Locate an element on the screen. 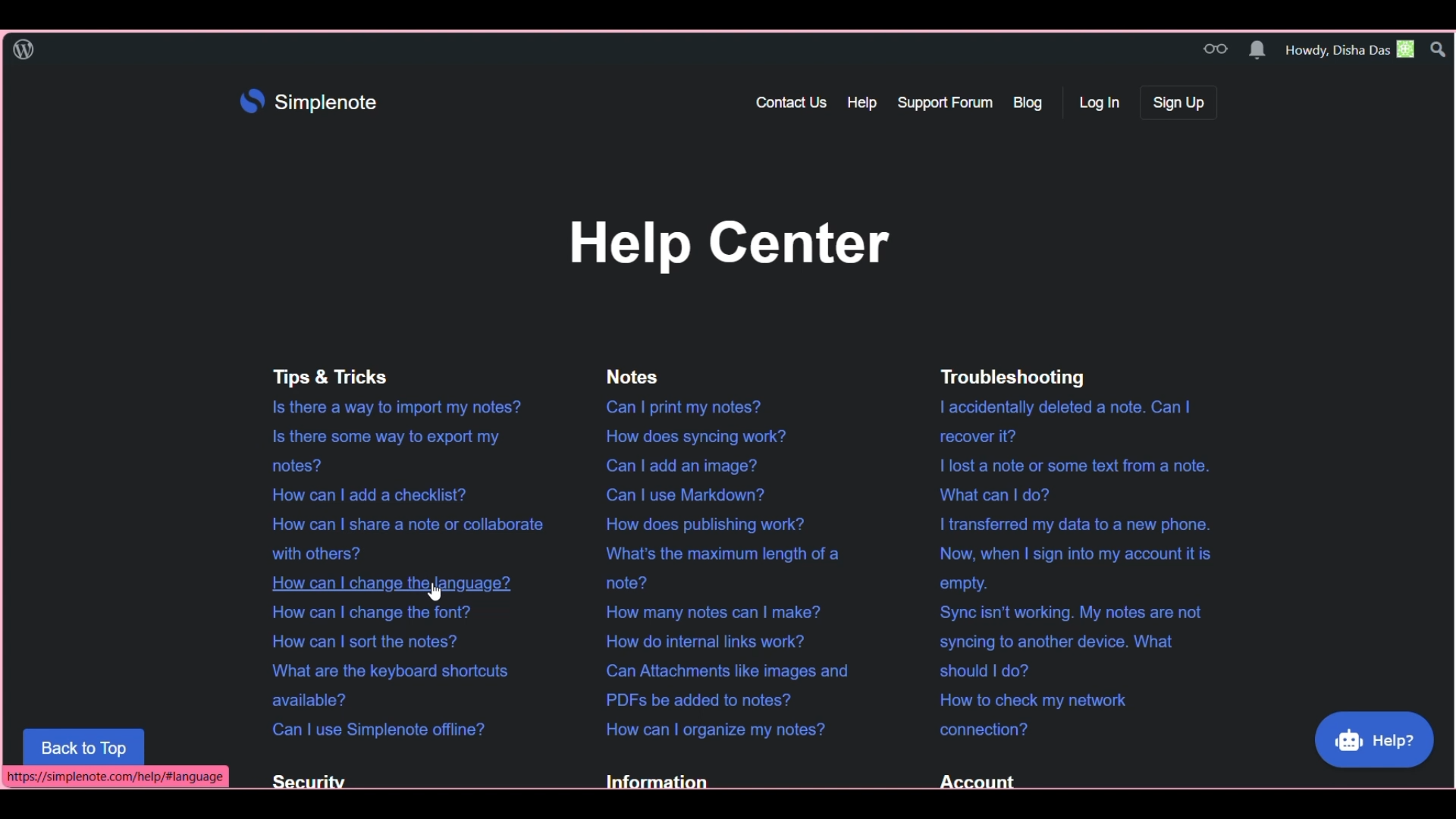 The height and width of the screenshot is (819, 1456). Help is located at coordinates (1375, 740).